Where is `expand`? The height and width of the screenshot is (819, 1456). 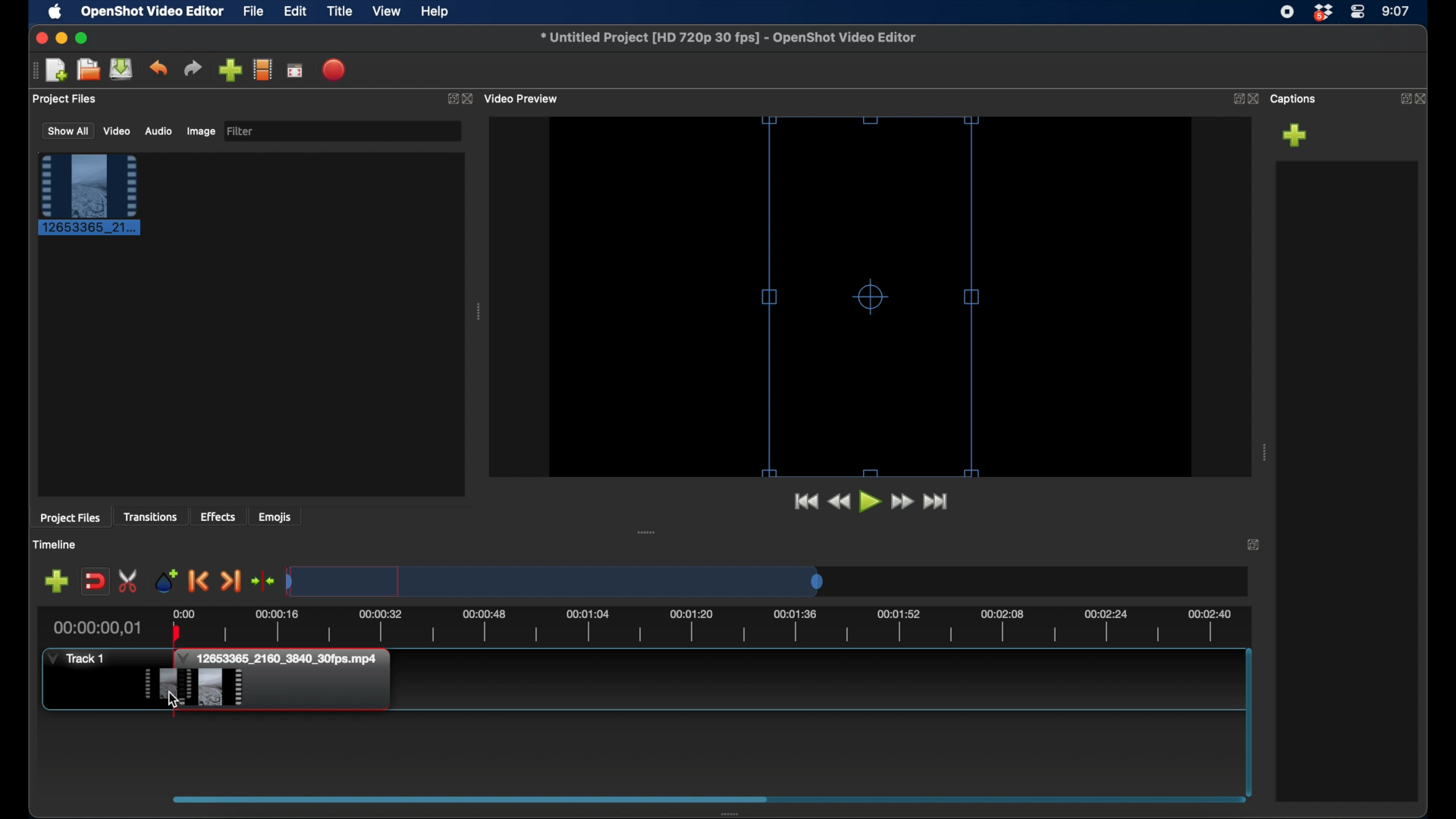
expand is located at coordinates (450, 98).